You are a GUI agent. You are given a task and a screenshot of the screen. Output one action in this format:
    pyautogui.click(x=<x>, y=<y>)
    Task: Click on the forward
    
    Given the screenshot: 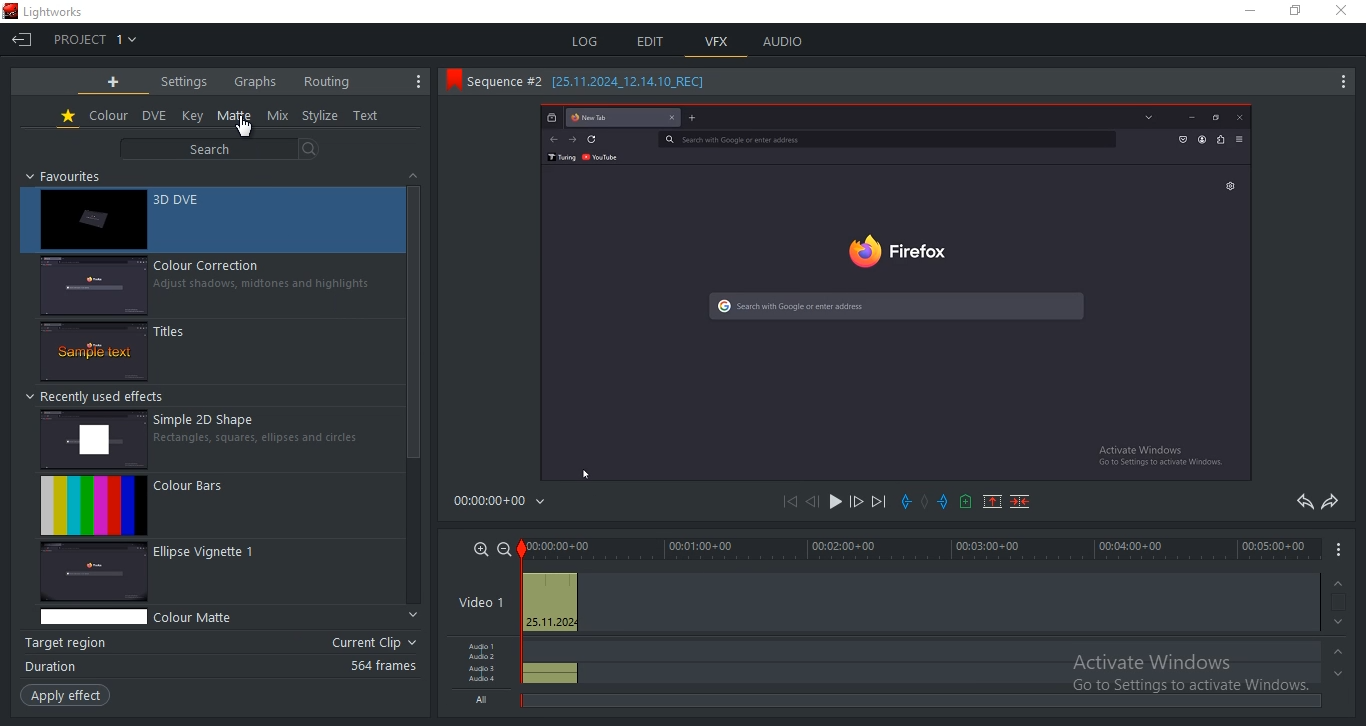 What is the action you would take?
    pyautogui.click(x=856, y=504)
    